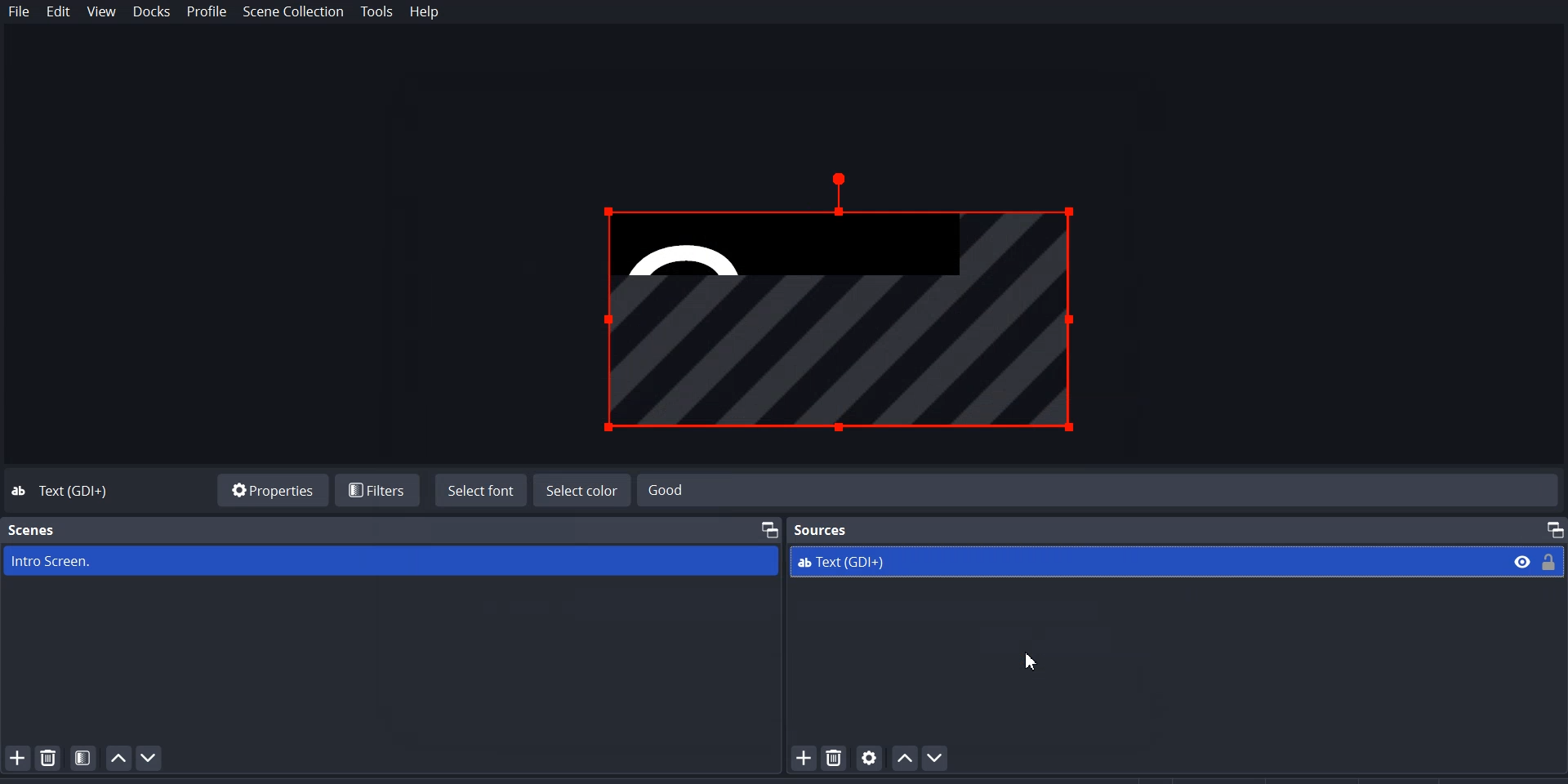 This screenshot has height=784, width=1568. I want to click on Select font, so click(478, 492).